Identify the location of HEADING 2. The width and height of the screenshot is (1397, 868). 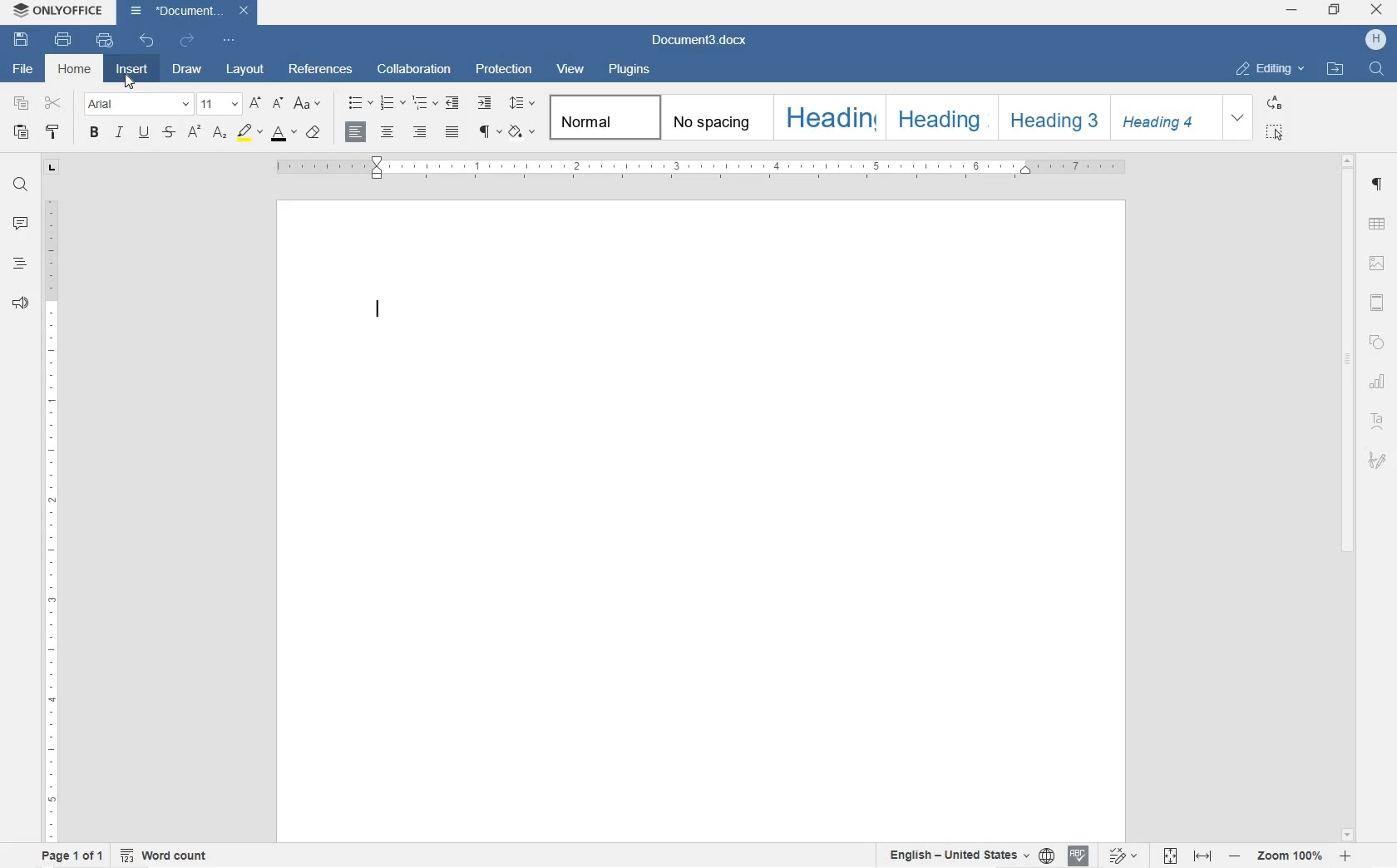
(940, 118).